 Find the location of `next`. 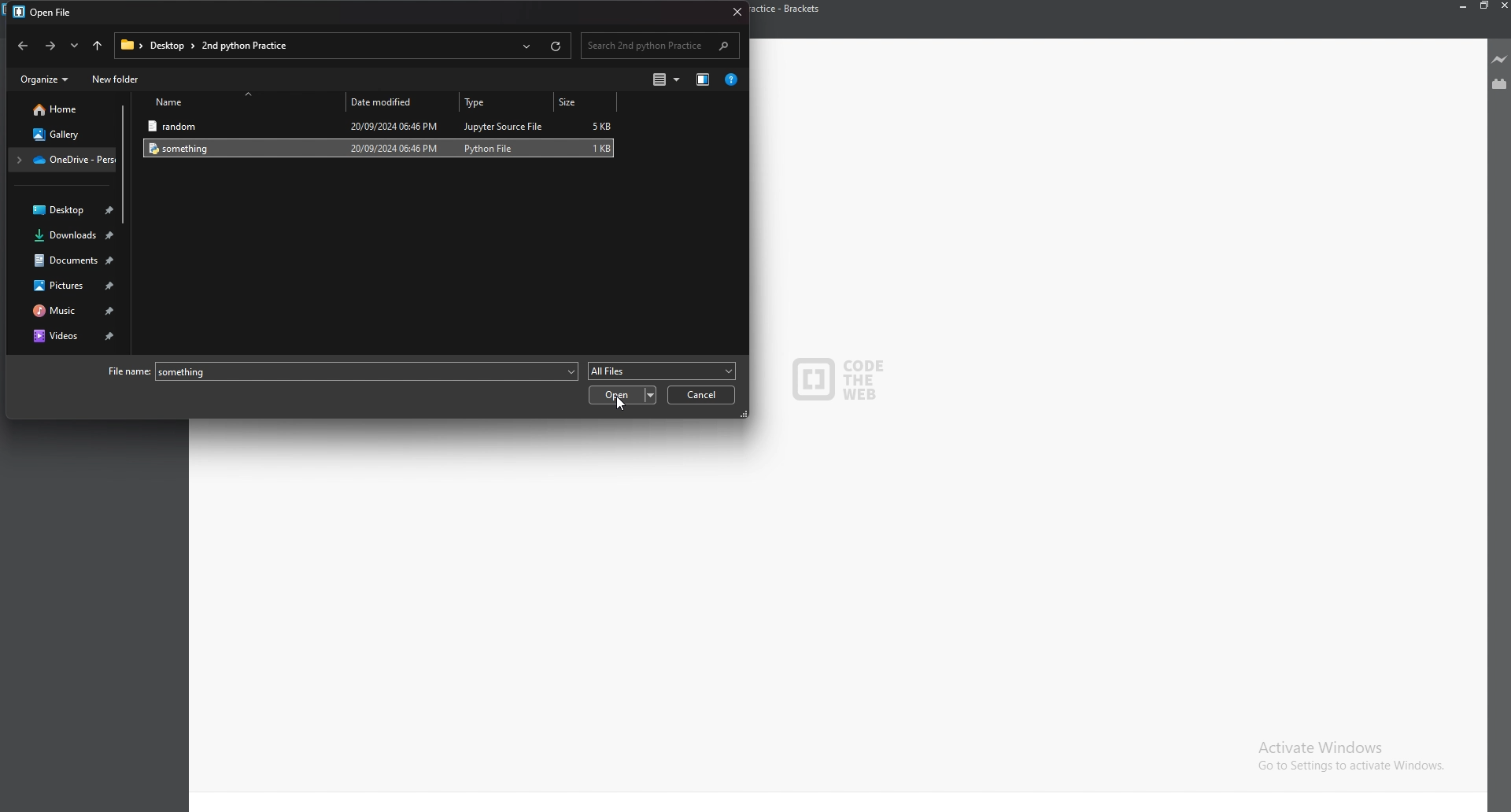

next is located at coordinates (50, 46).